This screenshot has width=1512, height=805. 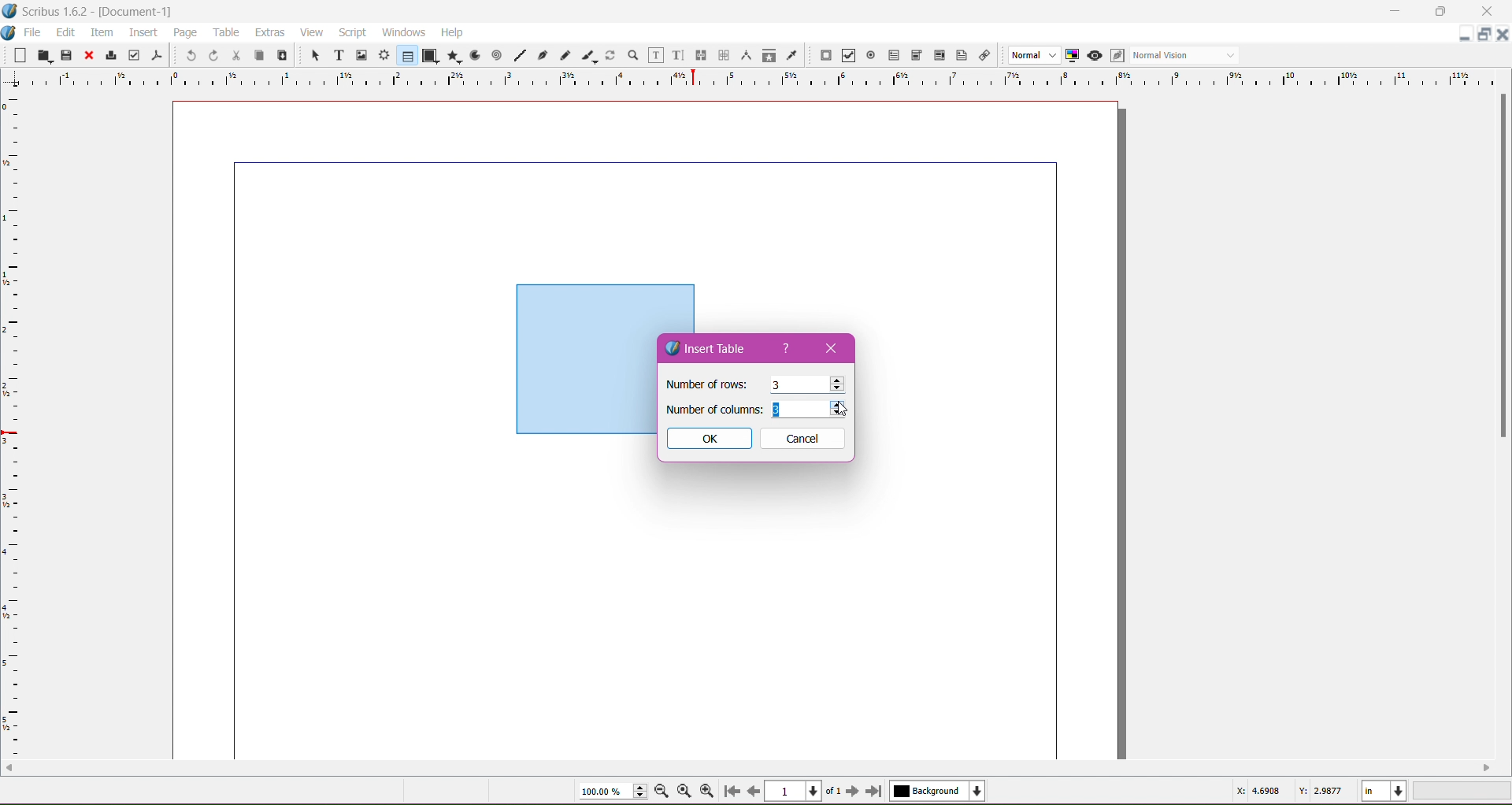 What do you see at coordinates (613, 792) in the screenshot?
I see `100.00 %` at bounding box center [613, 792].